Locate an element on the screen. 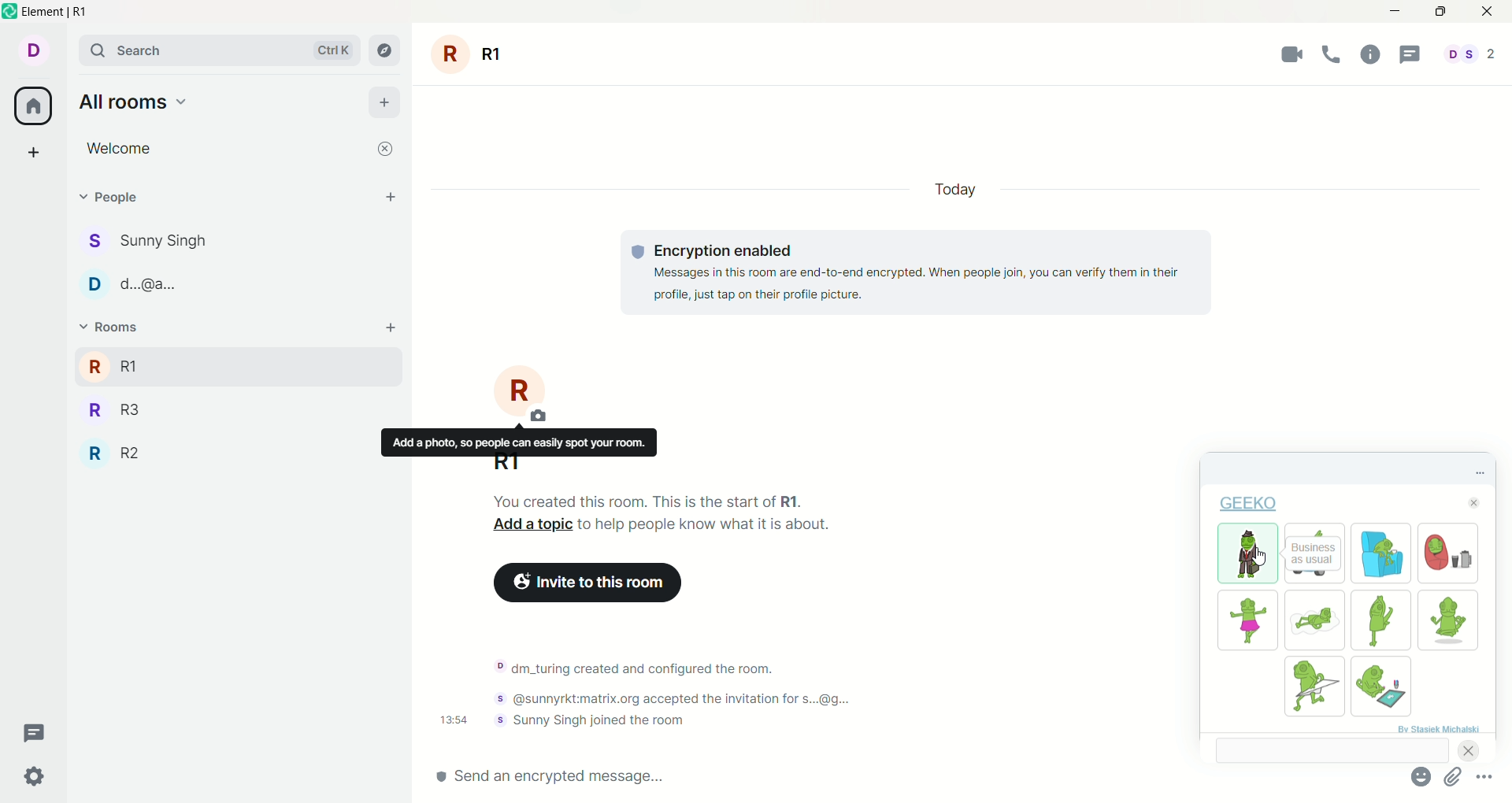  Add attachment is located at coordinates (1453, 776).